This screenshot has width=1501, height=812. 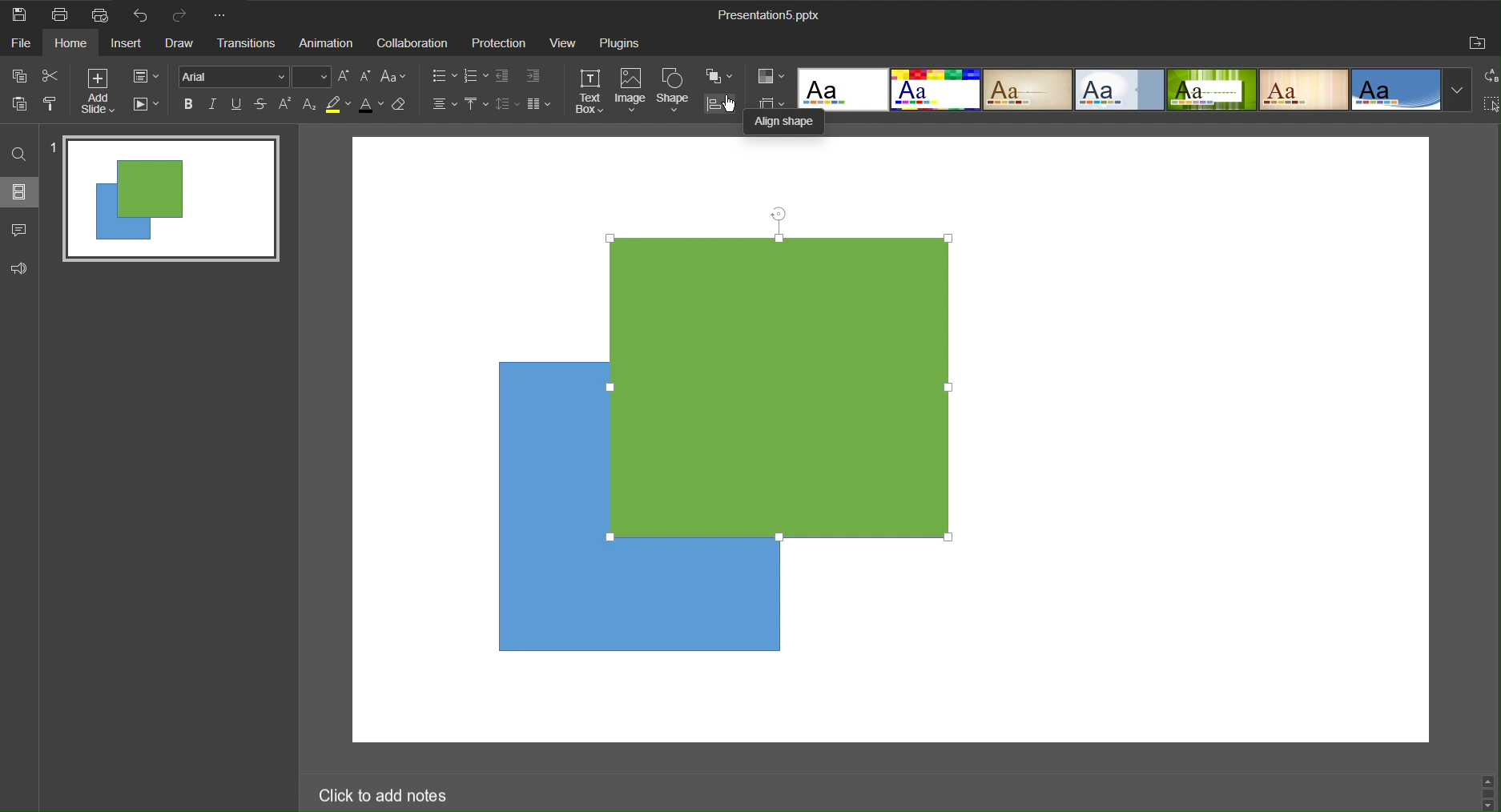 What do you see at coordinates (248, 44) in the screenshot?
I see `Transitions` at bounding box center [248, 44].